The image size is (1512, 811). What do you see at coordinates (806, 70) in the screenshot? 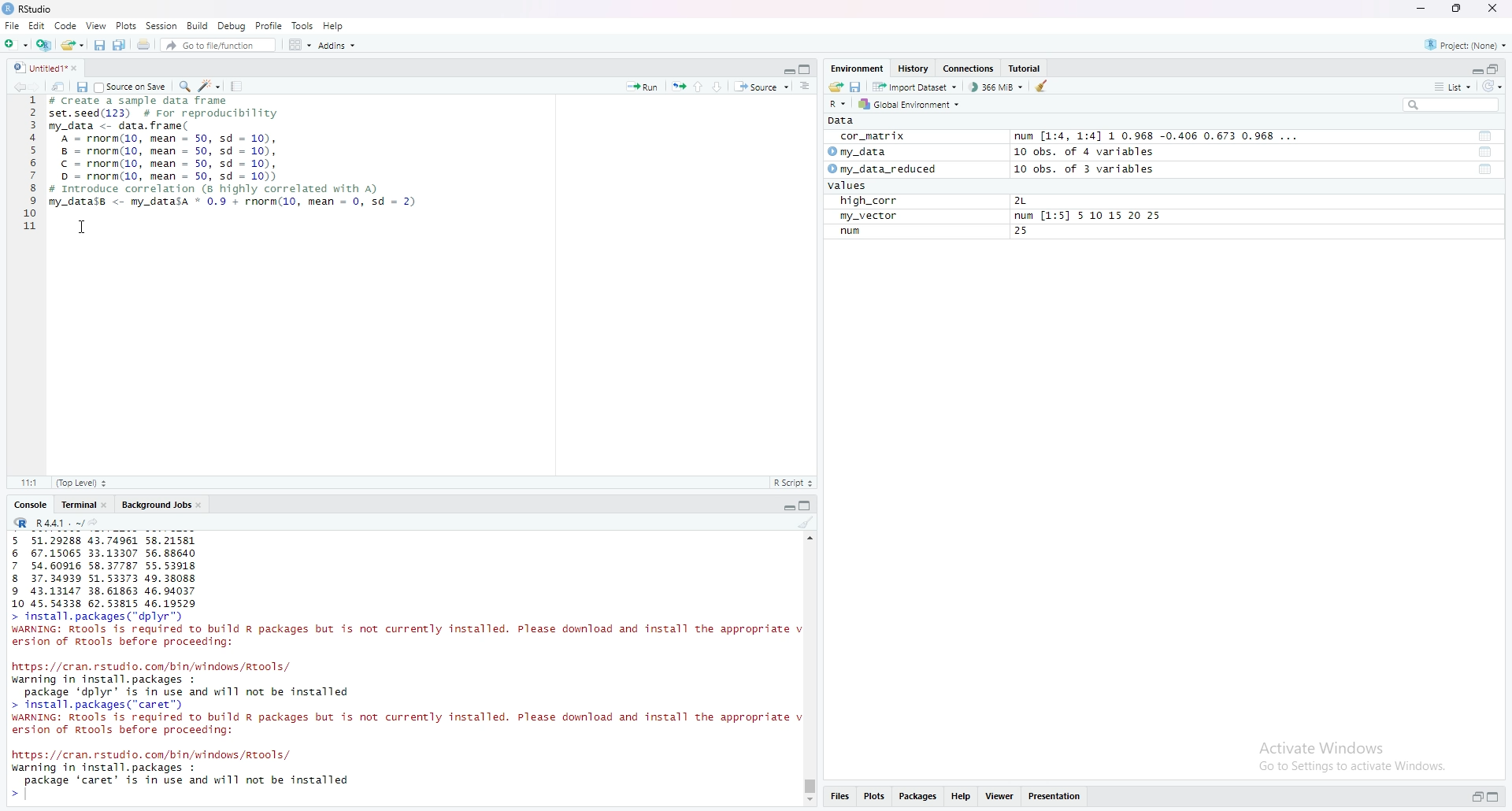
I see `copy` at bounding box center [806, 70].